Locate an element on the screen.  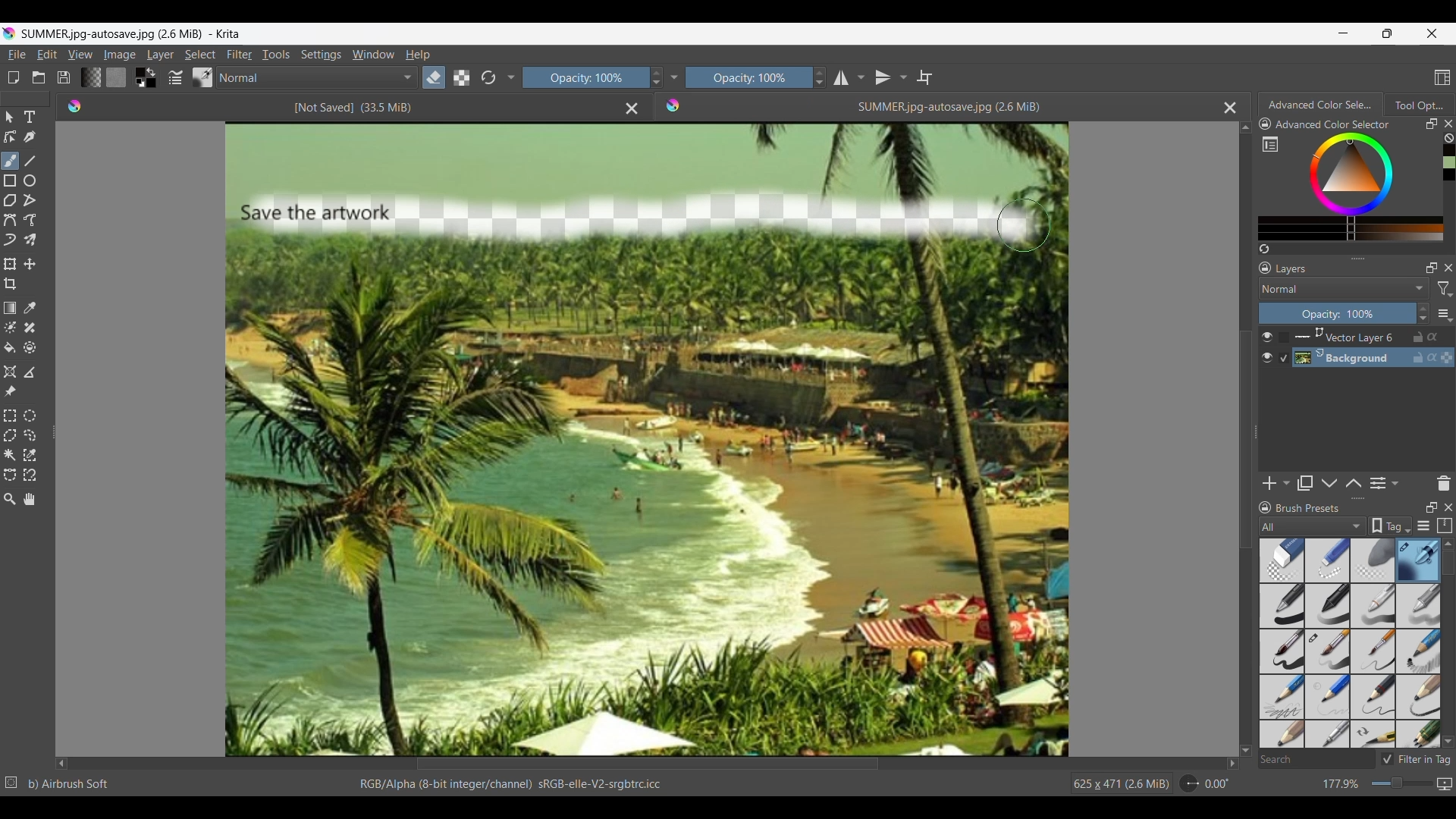
Elliptical selection tool is located at coordinates (30, 416).